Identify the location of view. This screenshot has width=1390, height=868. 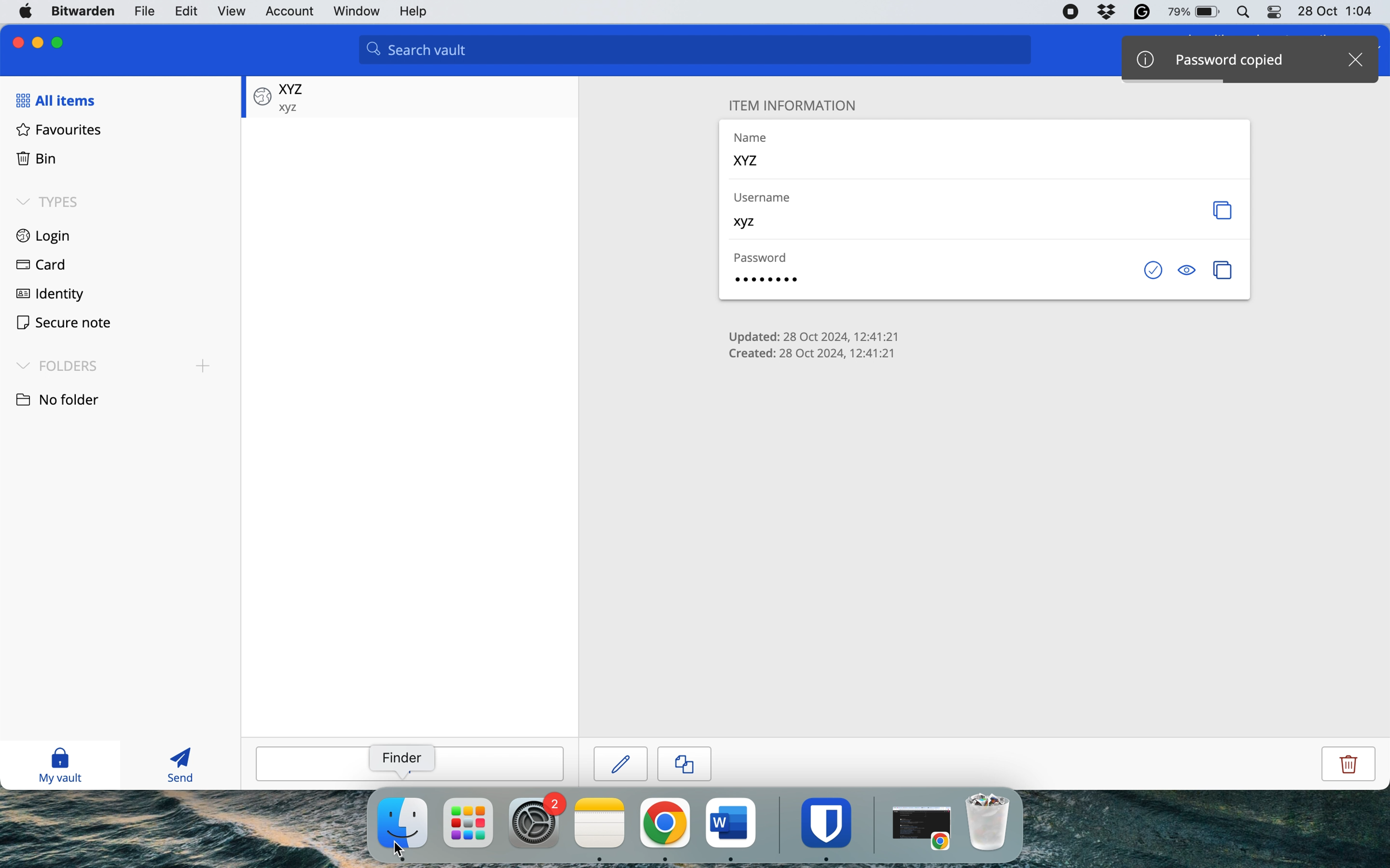
(233, 10).